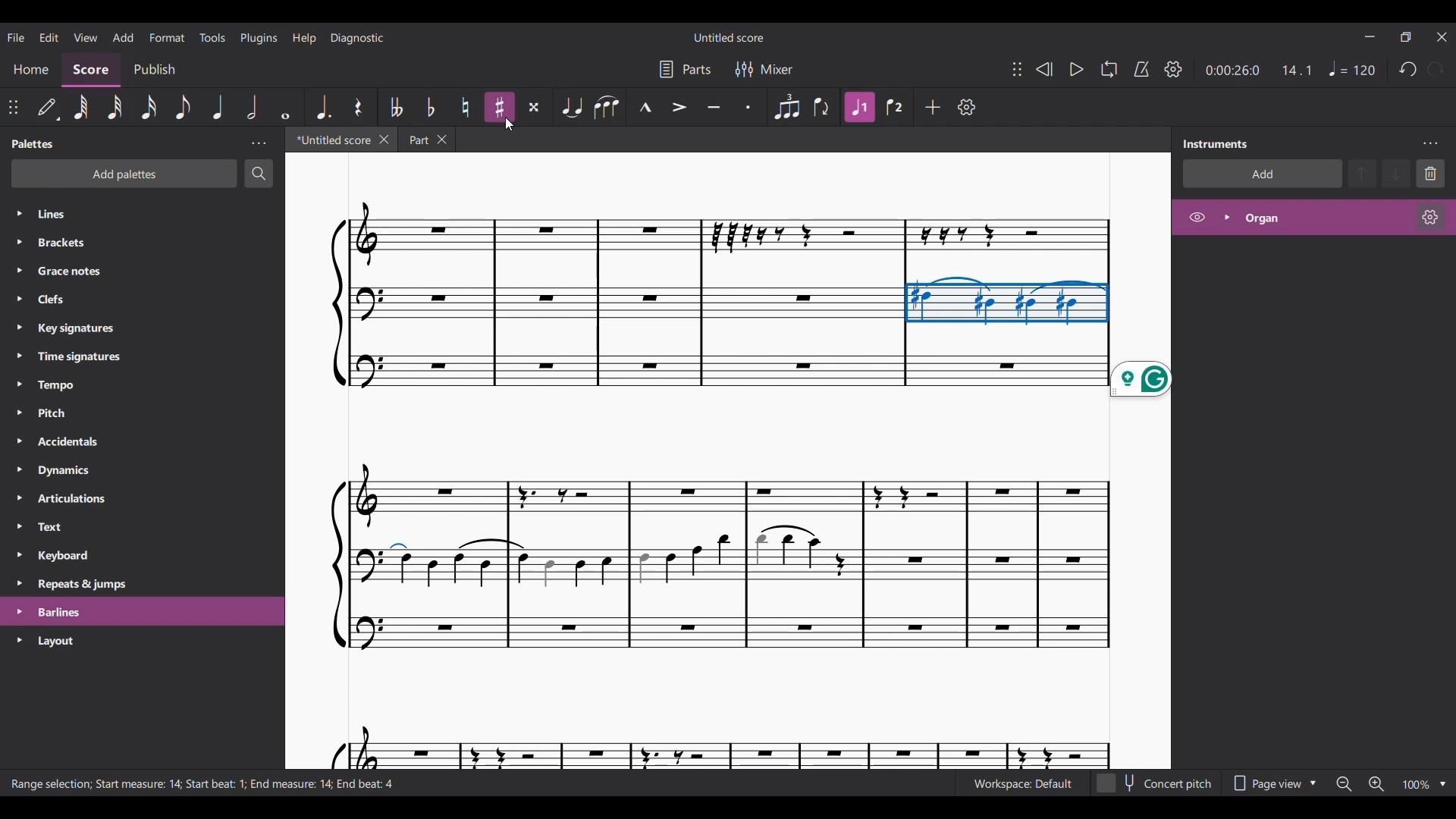  What do you see at coordinates (168, 36) in the screenshot?
I see `Format menu` at bounding box center [168, 36].